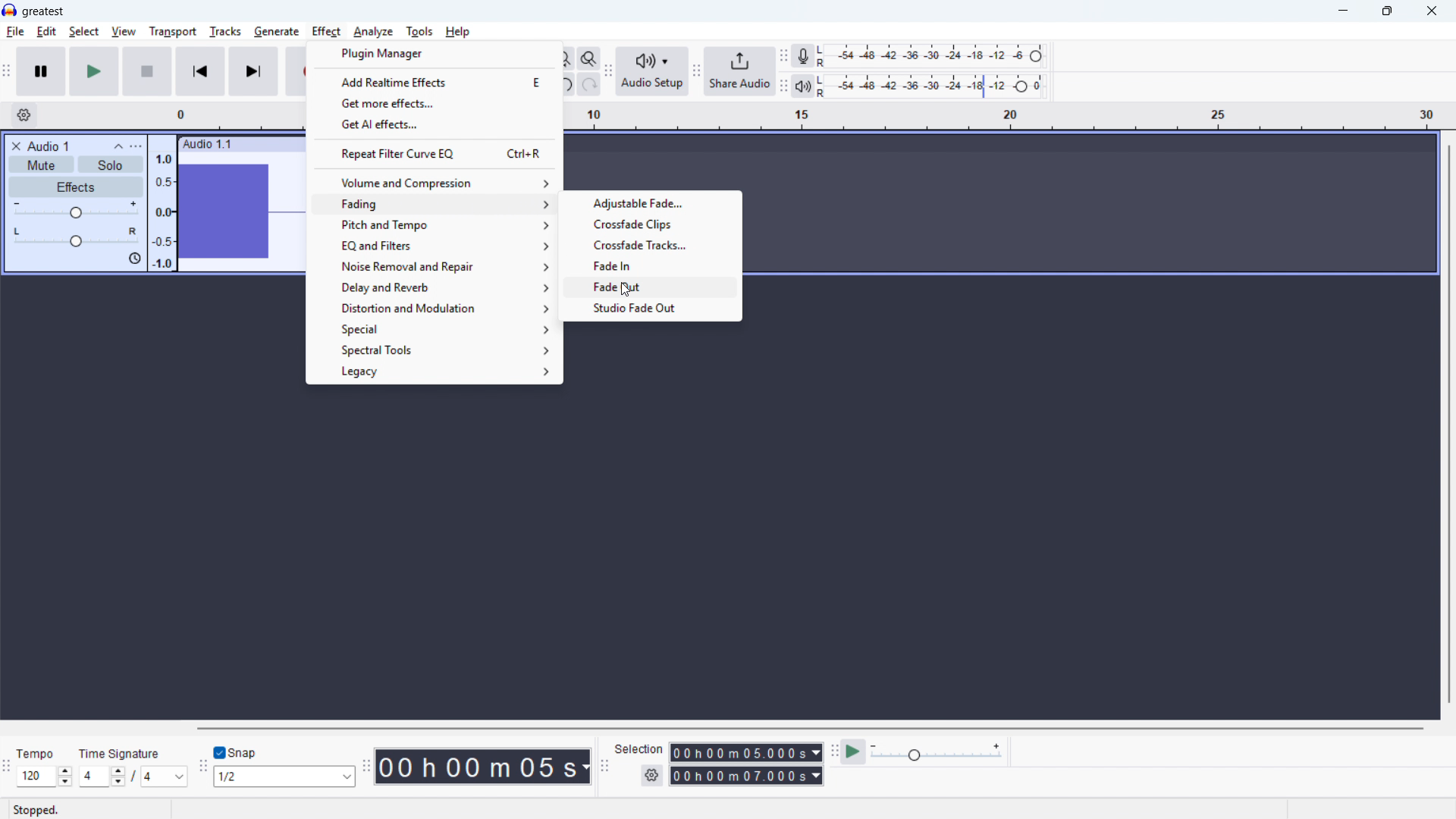 The width and height of the screenshot is (1456, 819). I want to click on Skip to start , so click(200, 71).